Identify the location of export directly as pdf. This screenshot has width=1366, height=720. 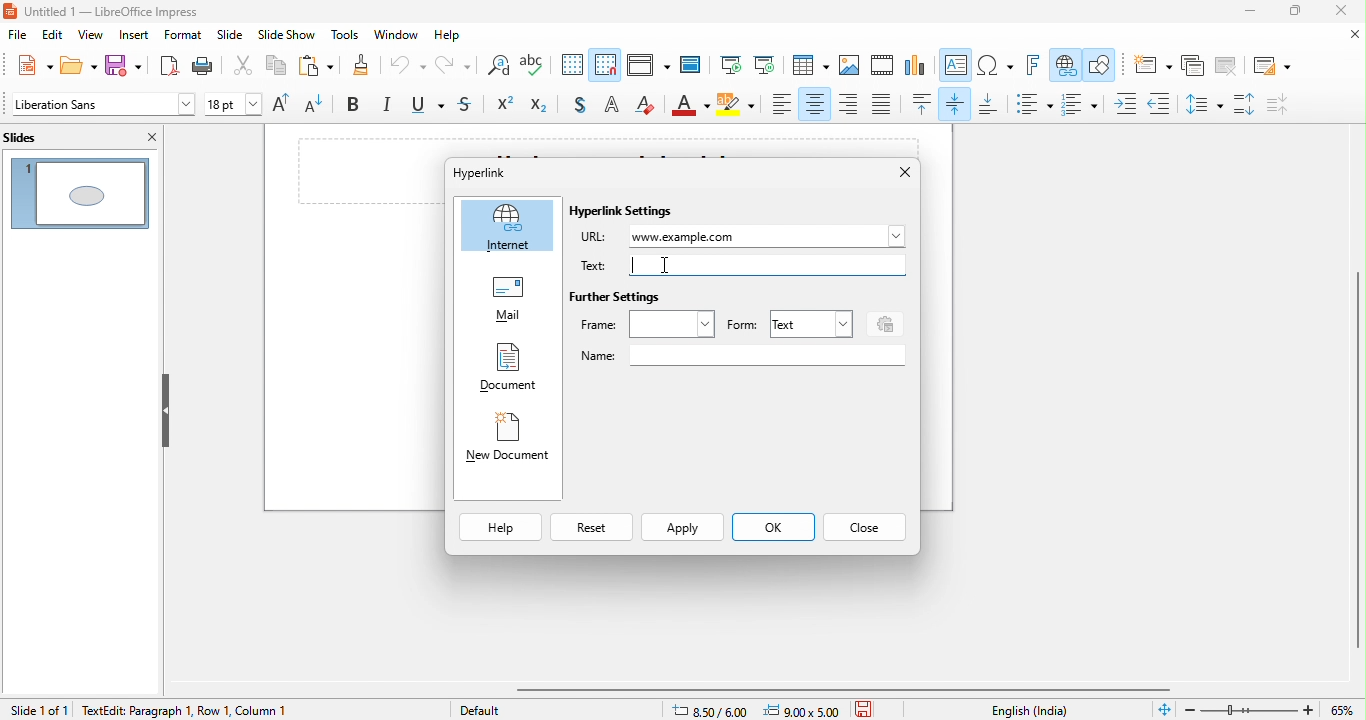
(167, 66).